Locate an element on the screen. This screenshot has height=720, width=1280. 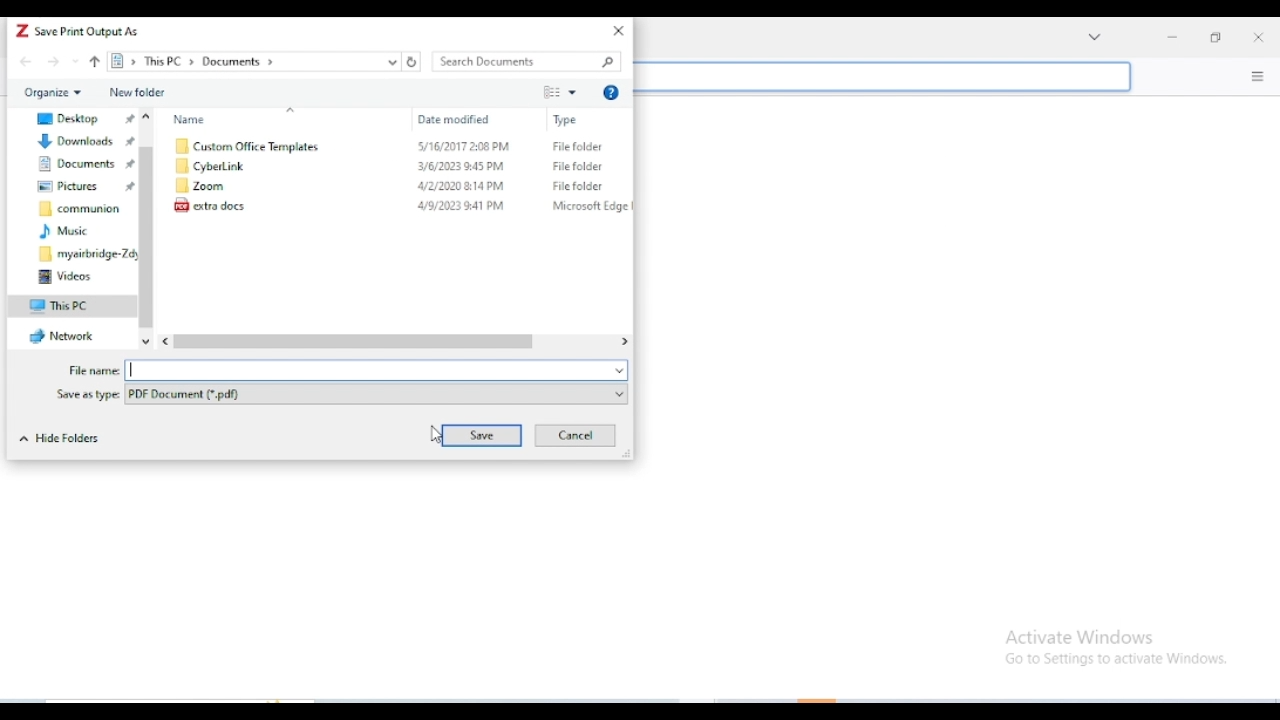
change your view is located at coordinates (561, 92).